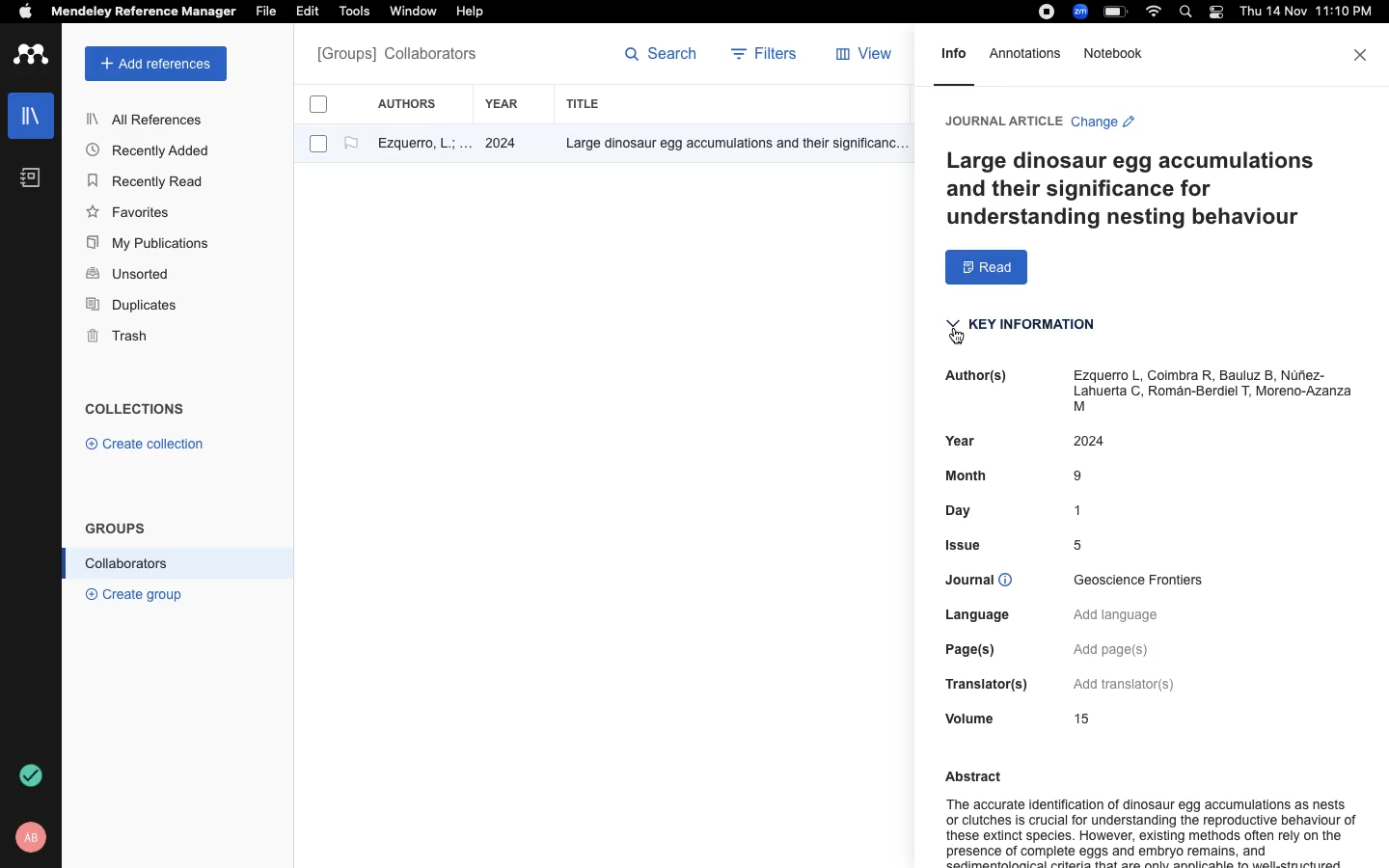  Describe the element at coordinates (1104, 443) in the screenshot. I see `2024` at that location.